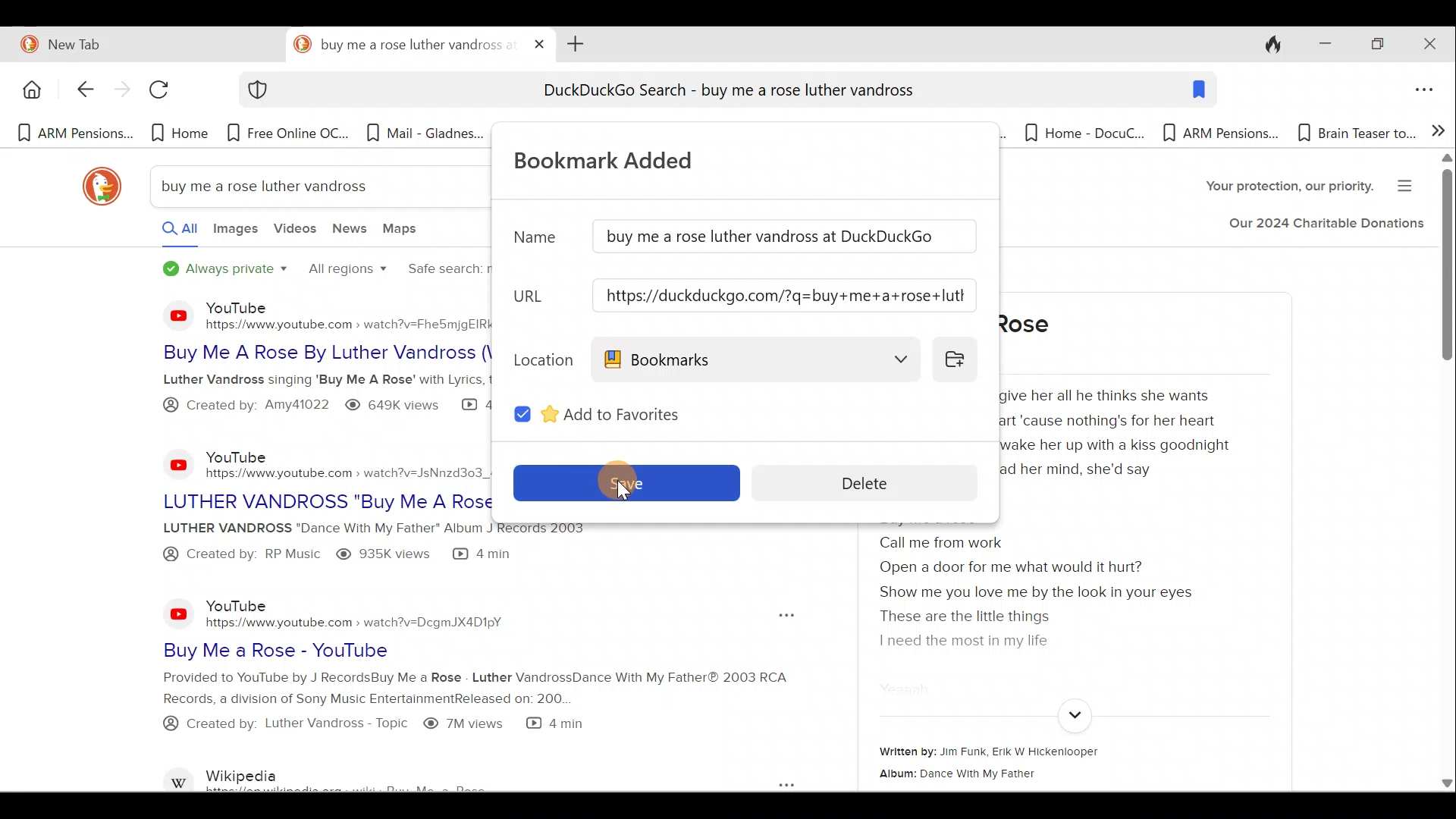 The width and height of the screenshot is (1456, 819). What do you see at coordinates (362, 613) in the screenshot?
I see `YouTube
https://www.youtube.com > watch?v=DcgmJX4D1pY` at bounding box center [362, 613].